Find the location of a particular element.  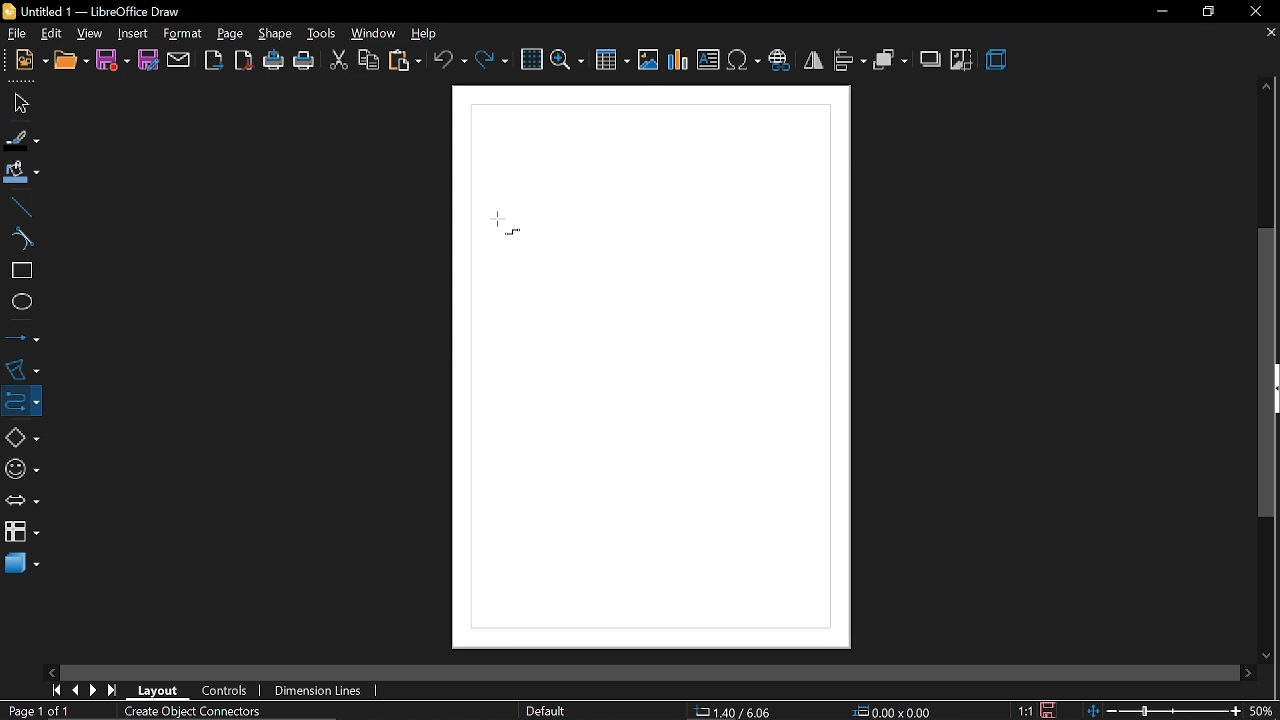

3d shapes is located at coordinates (21, 566).